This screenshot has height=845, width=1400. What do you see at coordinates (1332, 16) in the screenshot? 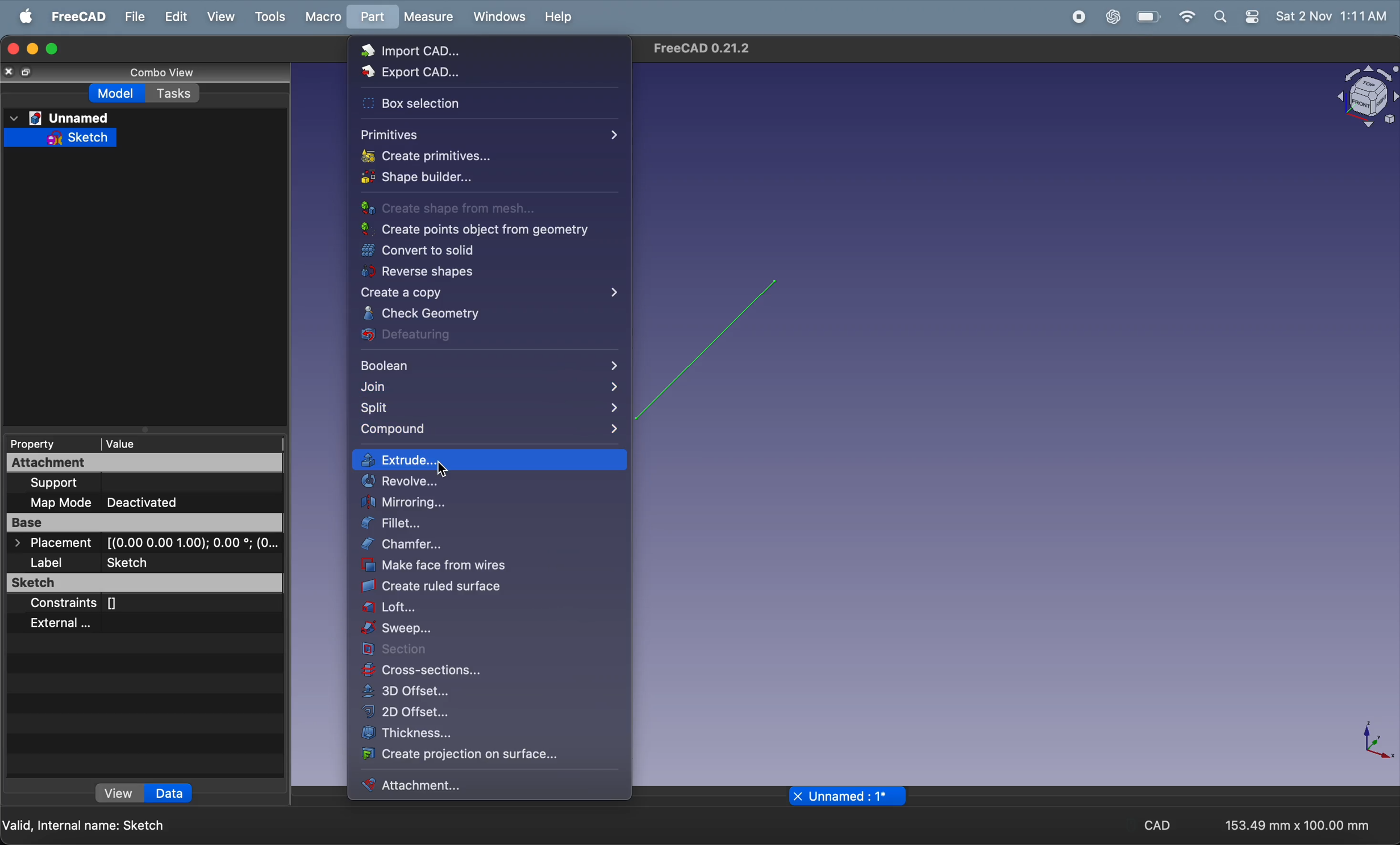
I see `Sat 2 Nov 1:11AM` at bounding box center [1332, 16].